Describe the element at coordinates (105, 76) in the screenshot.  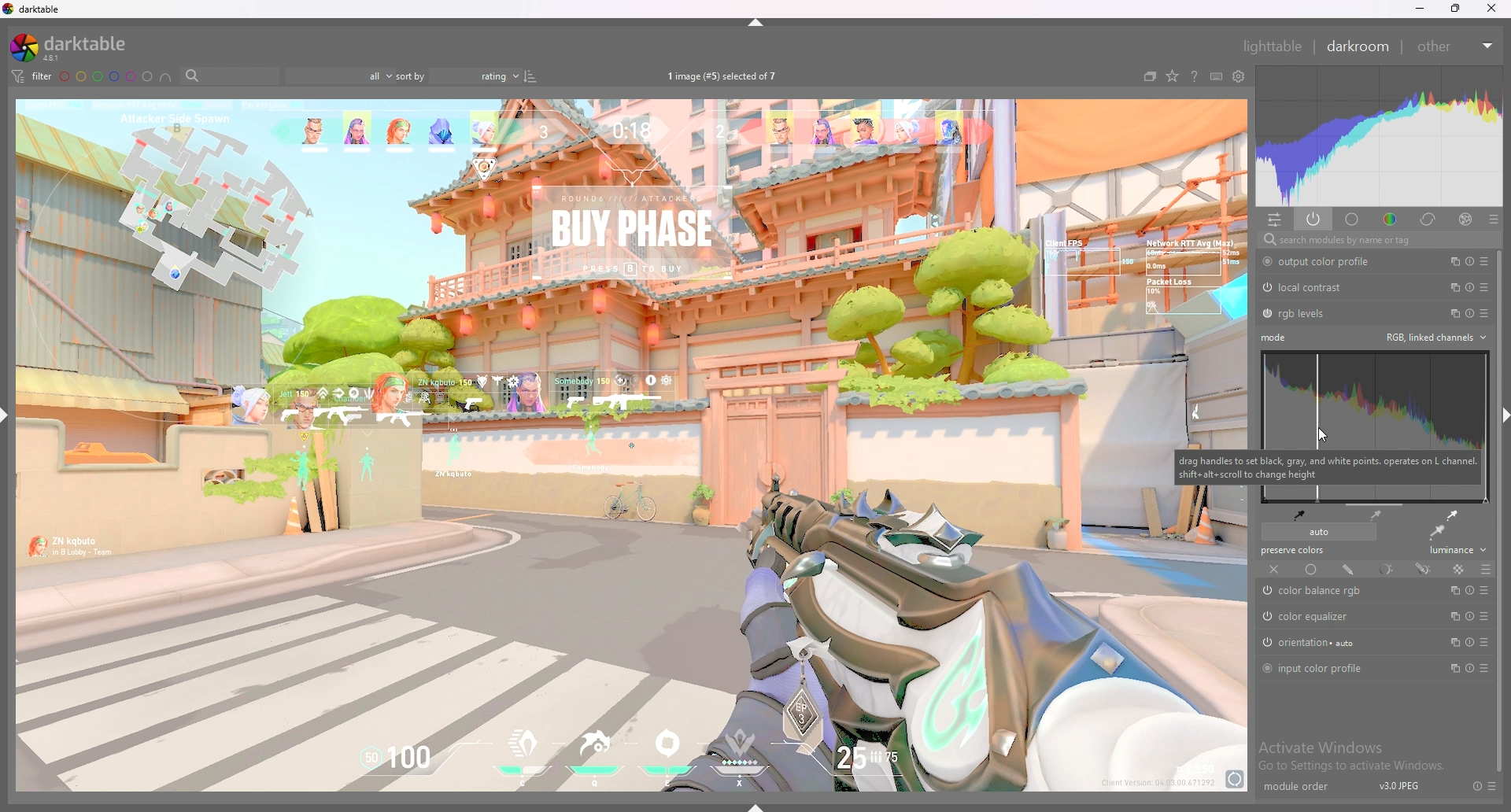
I see `color labels` at that location.